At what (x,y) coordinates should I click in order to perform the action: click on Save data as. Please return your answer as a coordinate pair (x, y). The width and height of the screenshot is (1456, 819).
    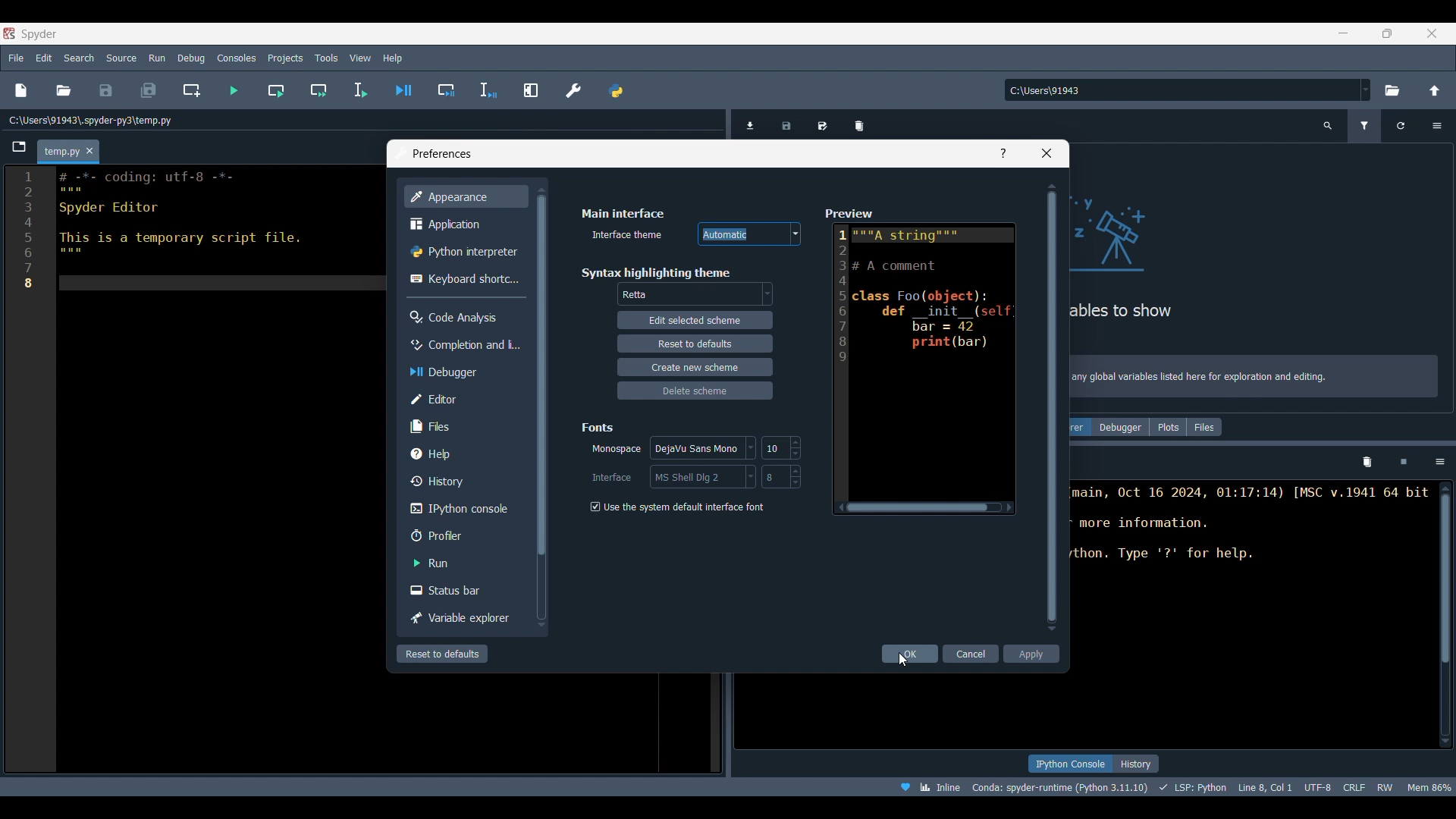
    Looking at the image, I should click on (823, 123).